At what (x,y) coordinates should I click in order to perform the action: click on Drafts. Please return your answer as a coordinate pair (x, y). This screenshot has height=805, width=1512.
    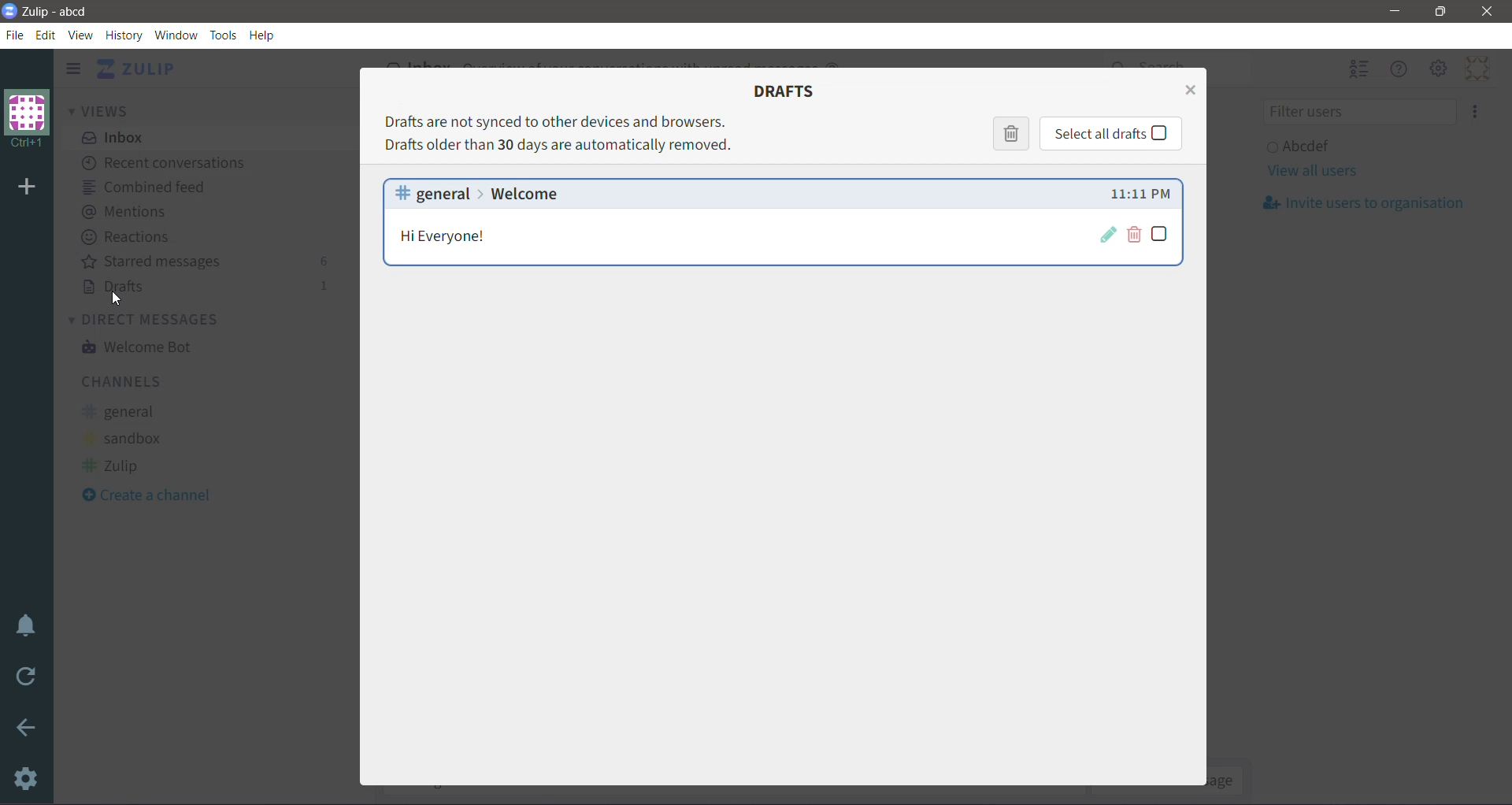
    Looking at the image, I should click on (779, 91).